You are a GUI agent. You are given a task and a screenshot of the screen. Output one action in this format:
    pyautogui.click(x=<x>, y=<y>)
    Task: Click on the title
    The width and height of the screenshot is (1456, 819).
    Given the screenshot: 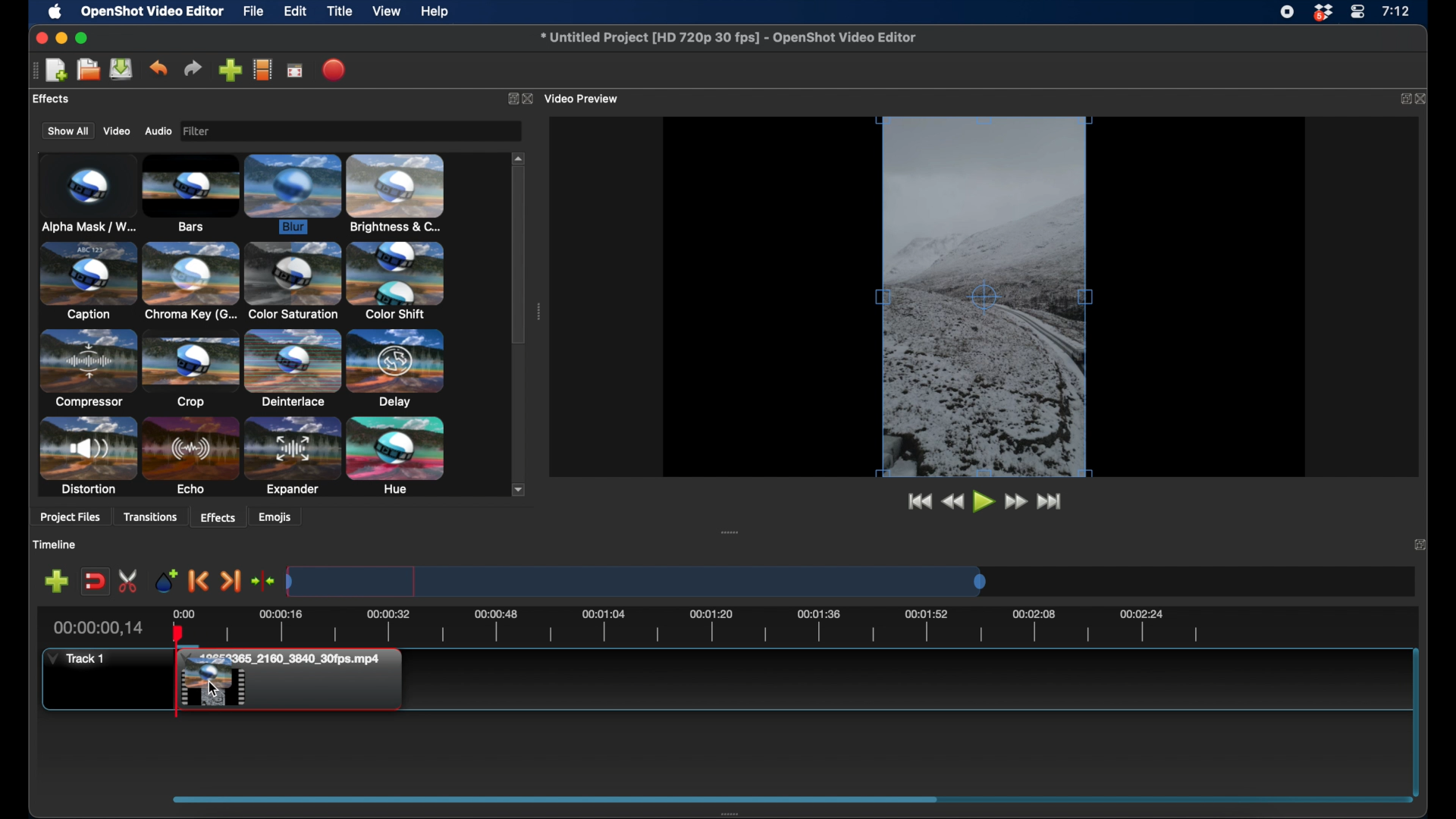 What is the action you would take?
    pyautogui.click(x=340, y=11)
    